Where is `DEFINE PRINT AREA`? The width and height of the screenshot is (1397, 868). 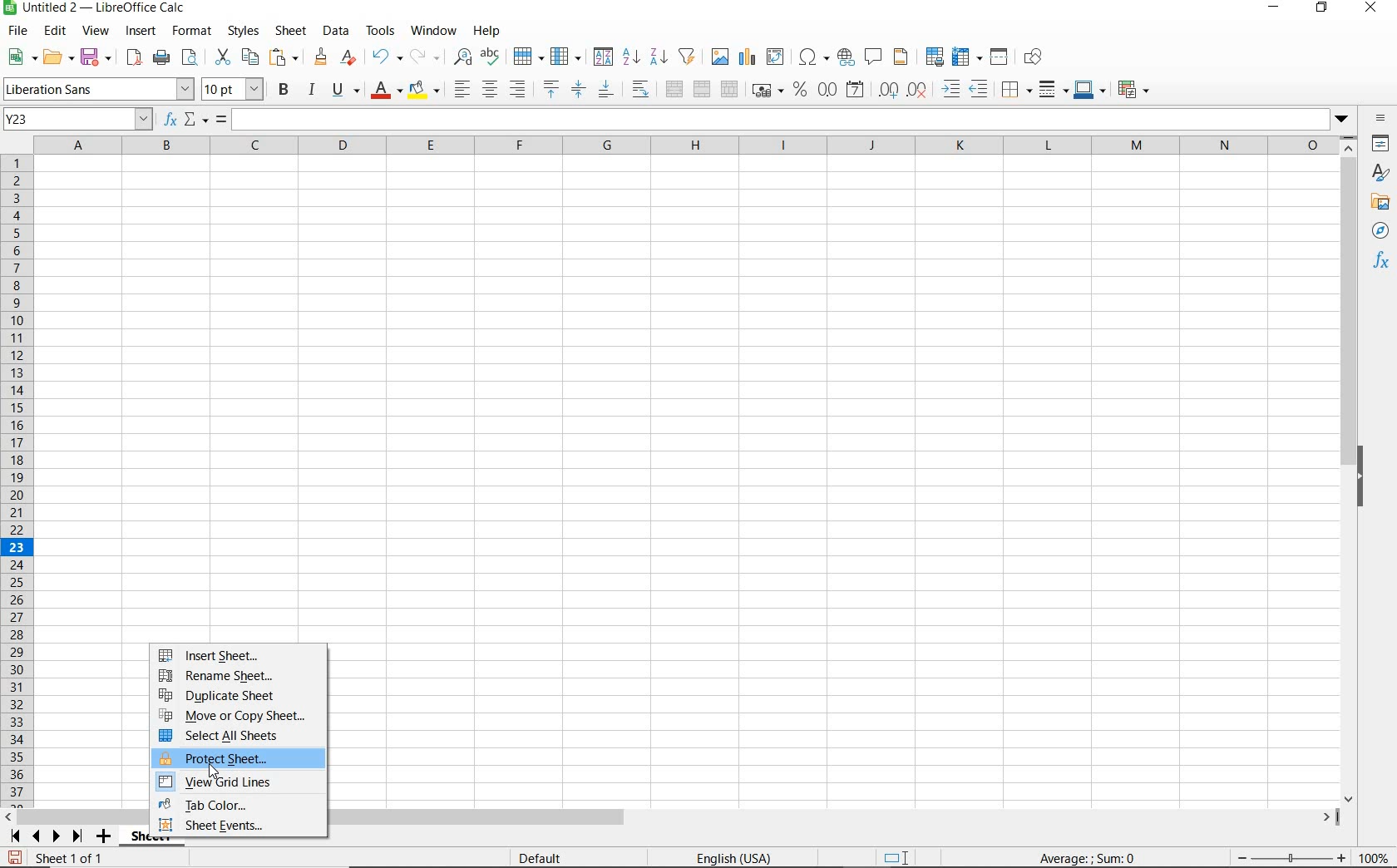
DEFINE PRINT AREA is located at coordinates (935, 57).